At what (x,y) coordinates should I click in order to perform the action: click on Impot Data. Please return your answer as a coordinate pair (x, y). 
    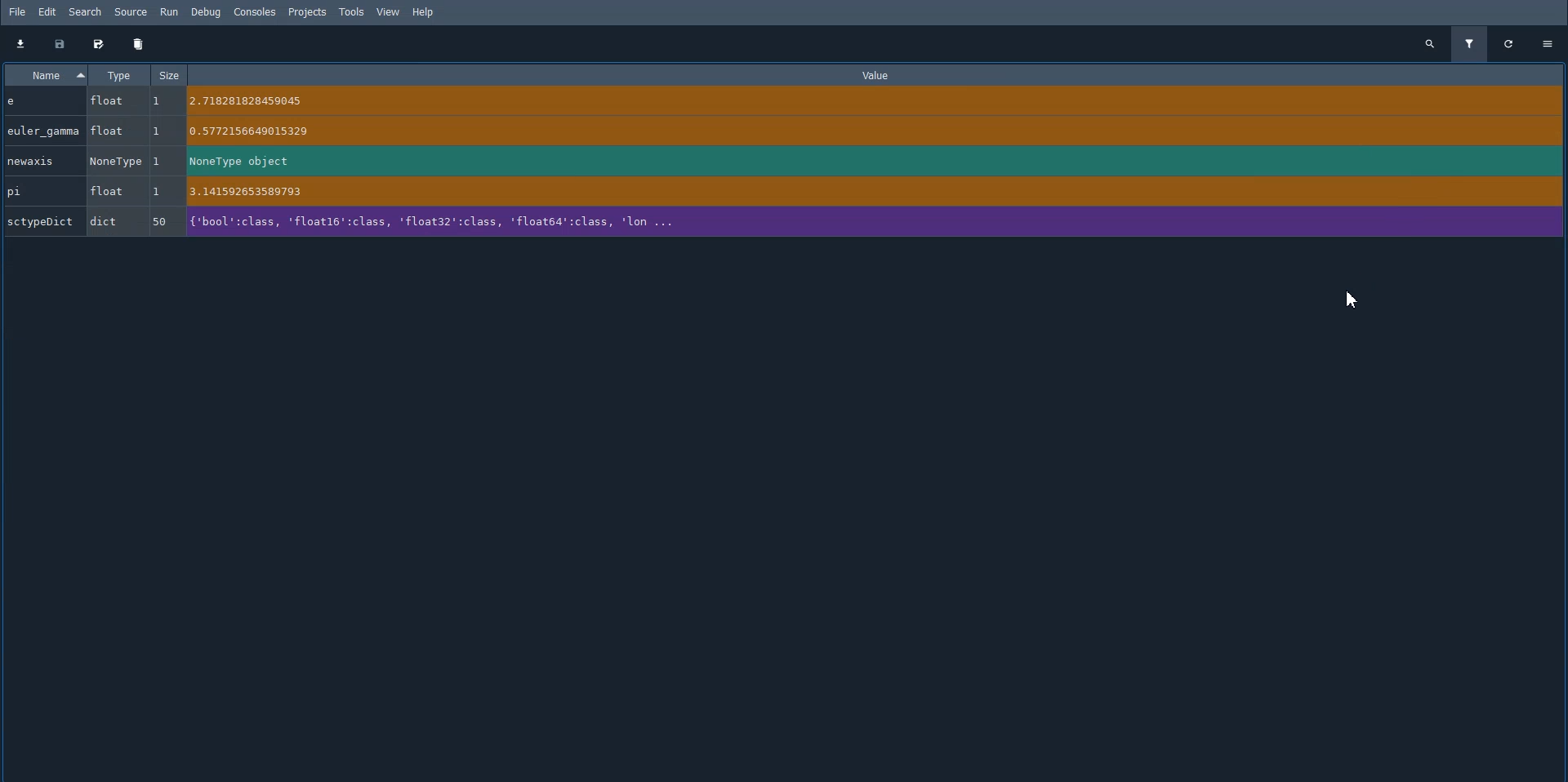
    Looking at the image, I should click on (20, 43).